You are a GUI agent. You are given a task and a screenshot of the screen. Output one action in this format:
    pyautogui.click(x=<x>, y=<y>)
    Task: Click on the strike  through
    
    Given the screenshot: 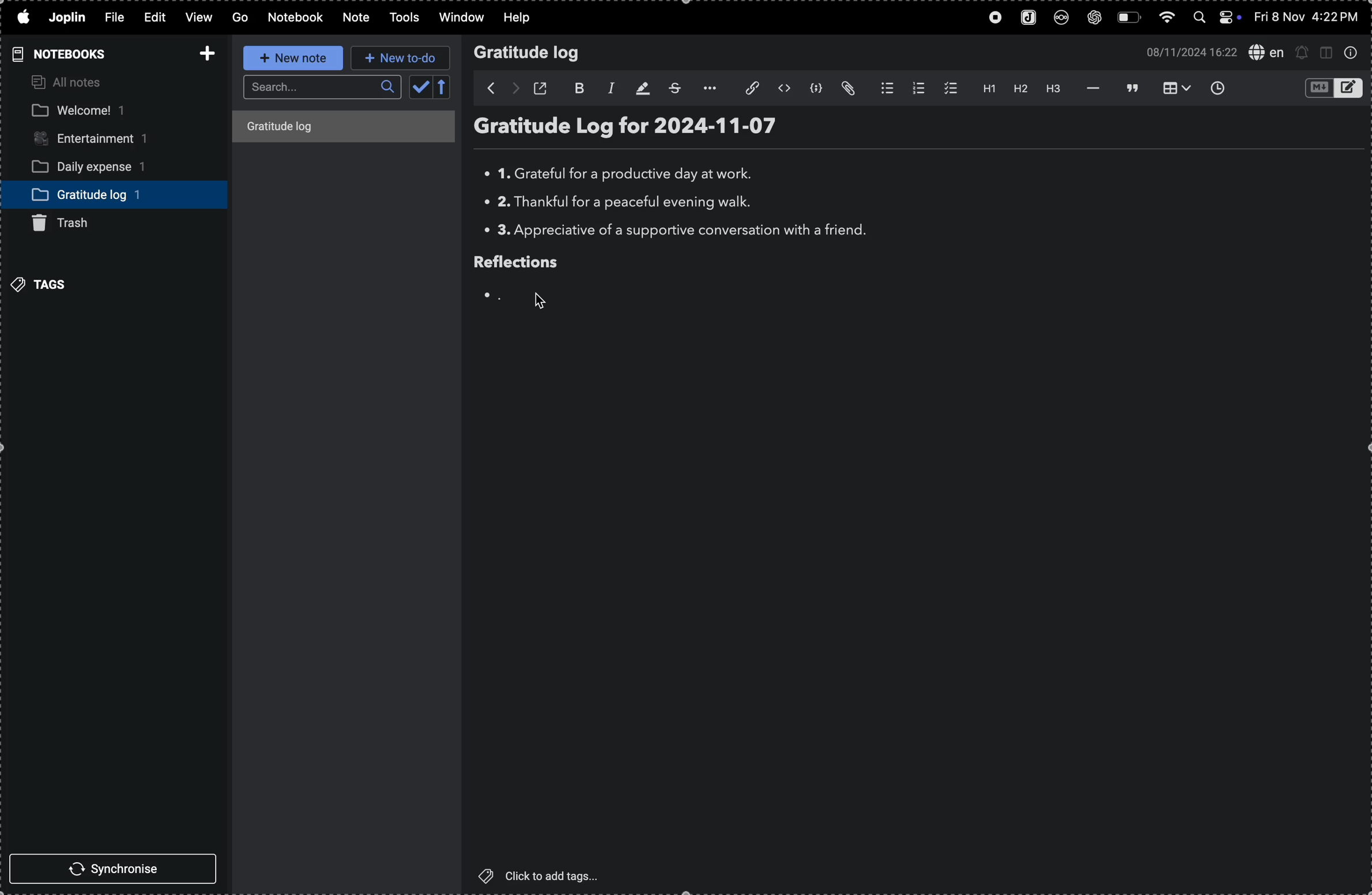 What is the action you would take?
    pyautogui.click(x=678, y=88)
    